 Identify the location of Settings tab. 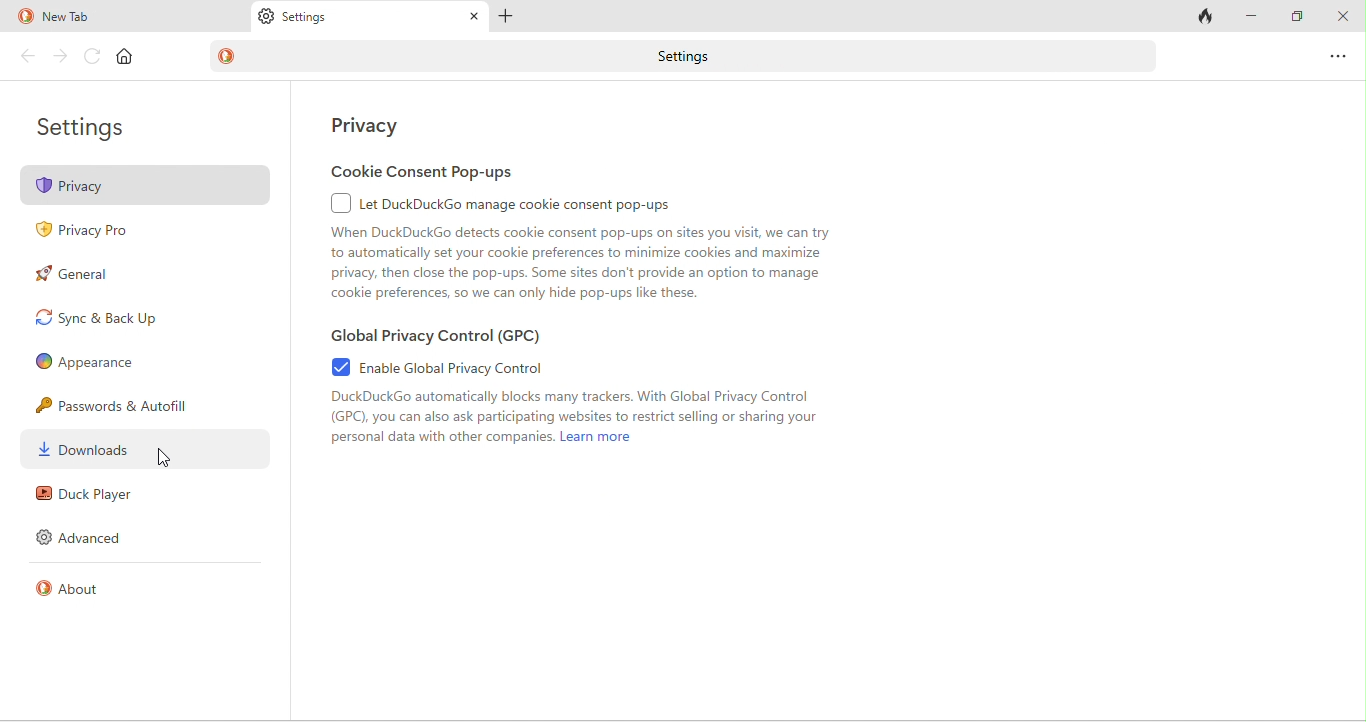
(366, 15).